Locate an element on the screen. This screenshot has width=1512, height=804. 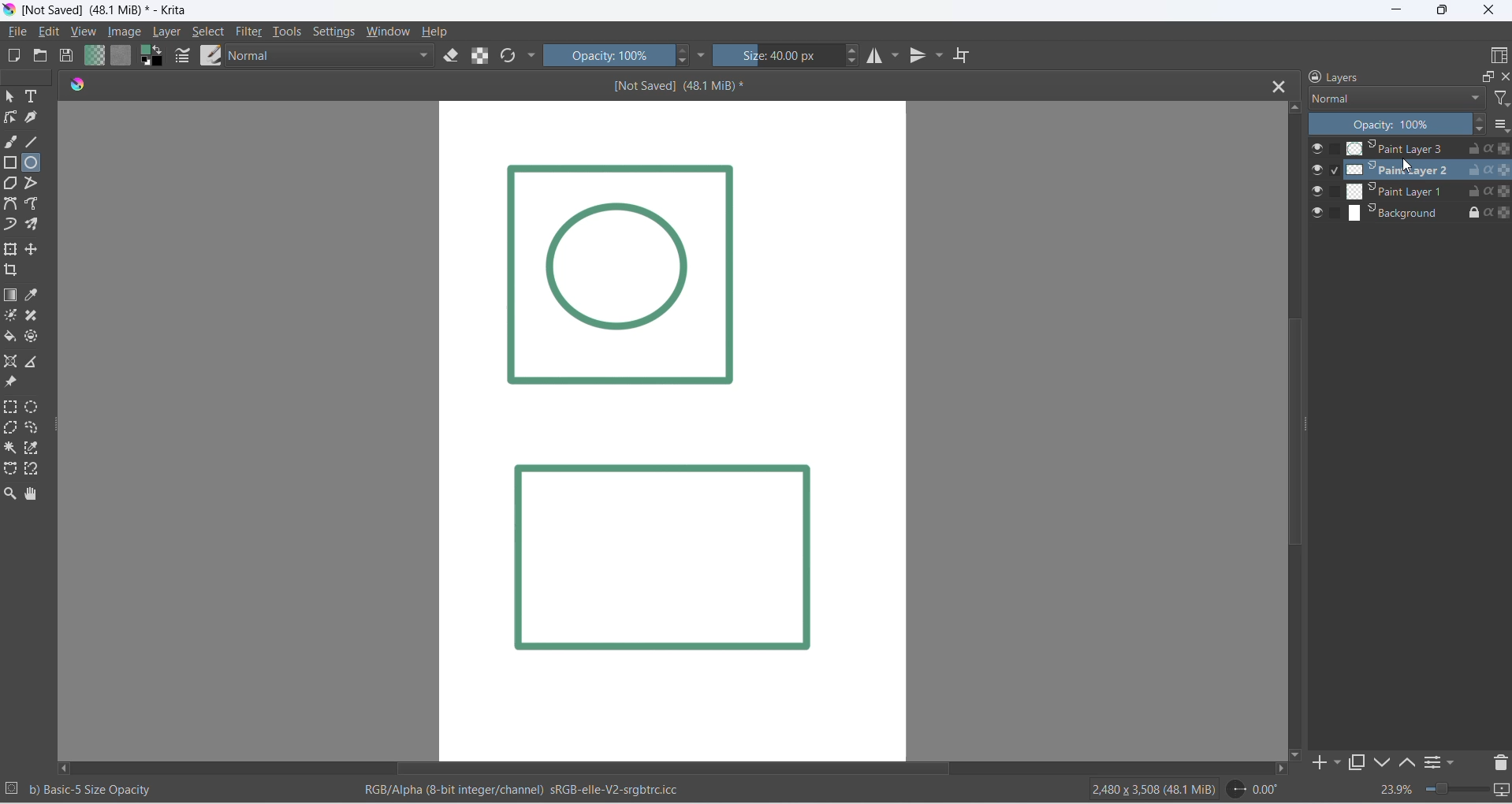
zoom is located at coordinates (1458, 787).